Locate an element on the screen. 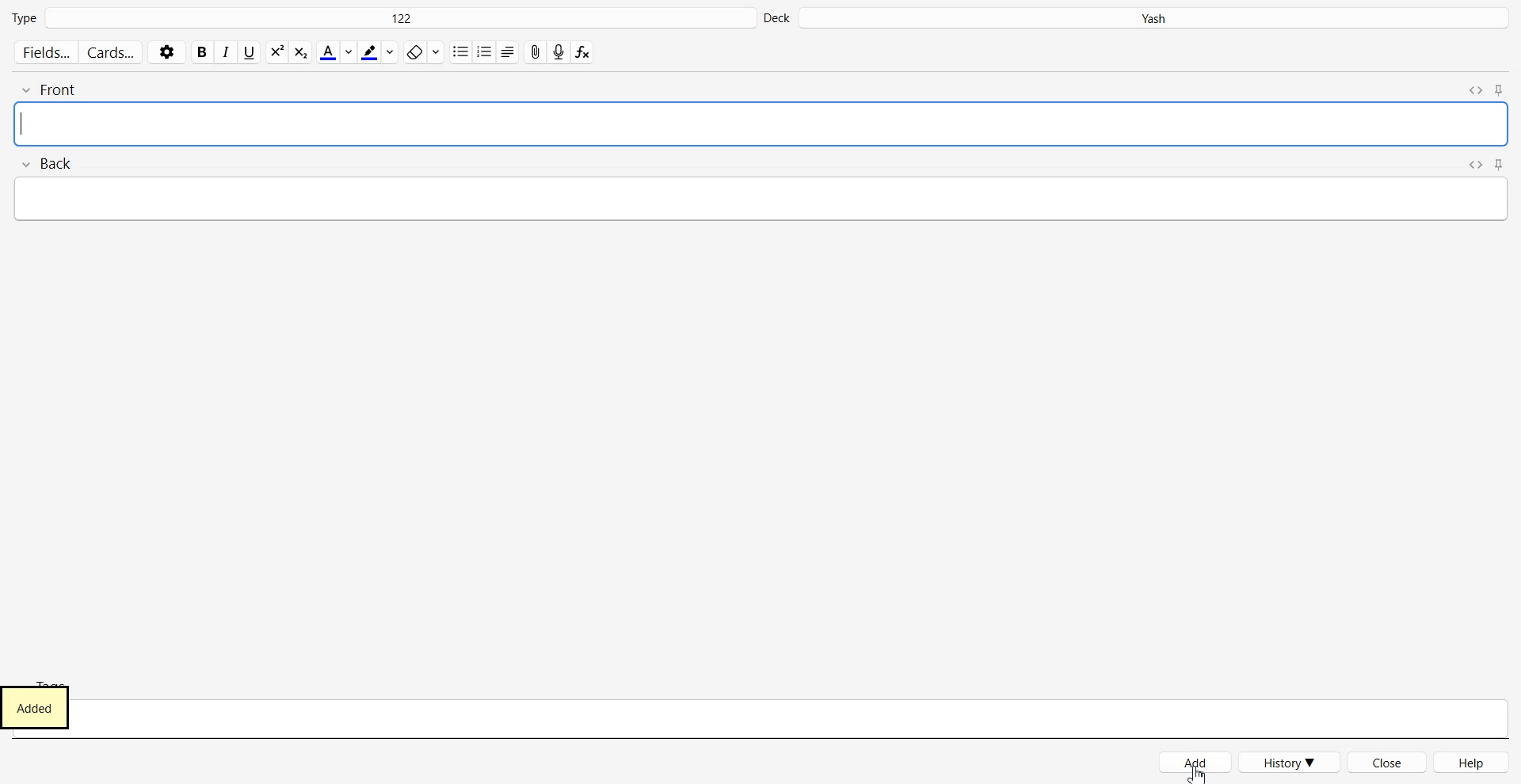 This screenshot has width=1521, height=784. Attach File is located at coordinates (534, 51).